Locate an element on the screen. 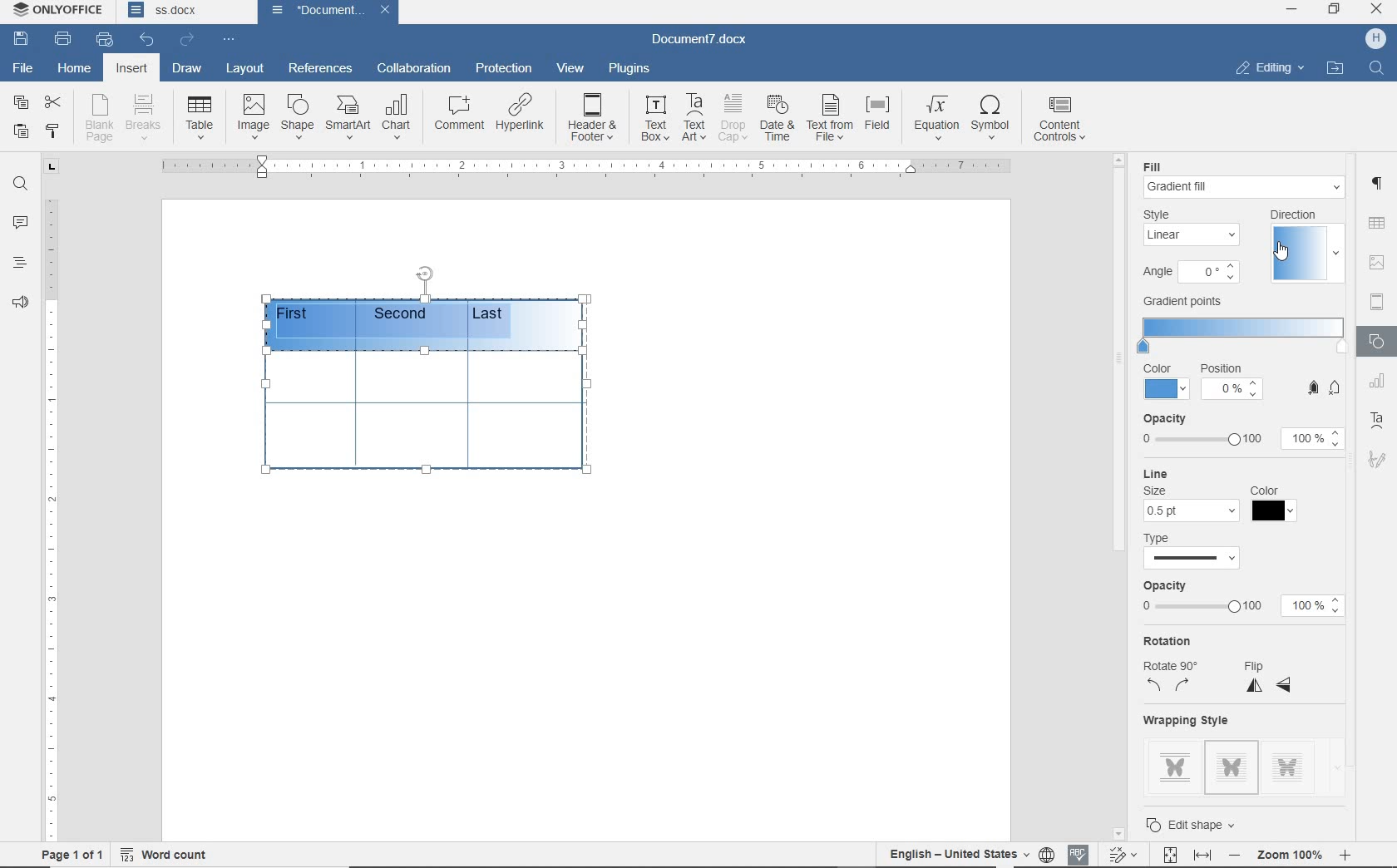 The height and width of the screenshot is (868, 1397). signature is located at coordinates (1379, 462).